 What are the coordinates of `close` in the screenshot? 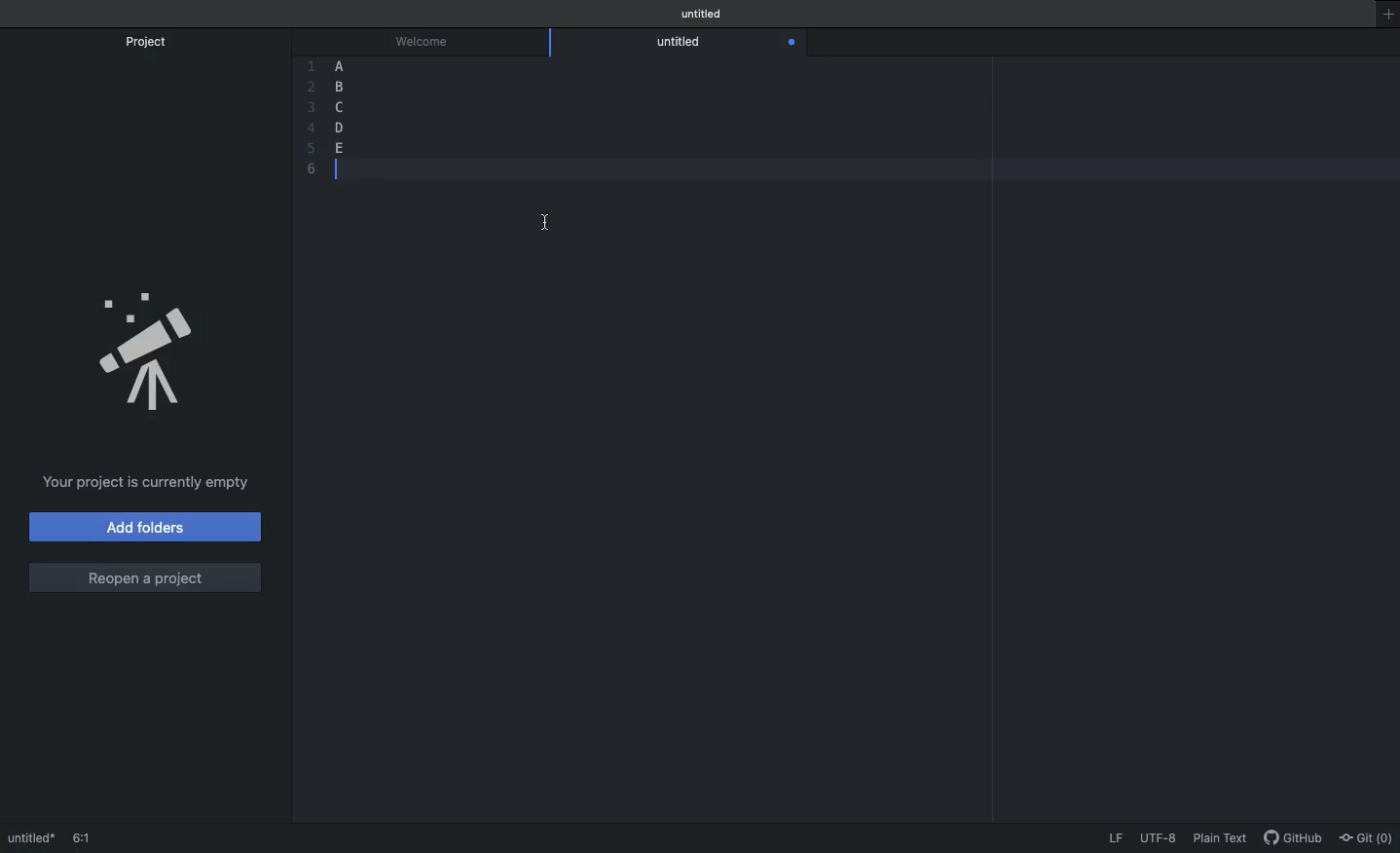 It's located at (792, 43).